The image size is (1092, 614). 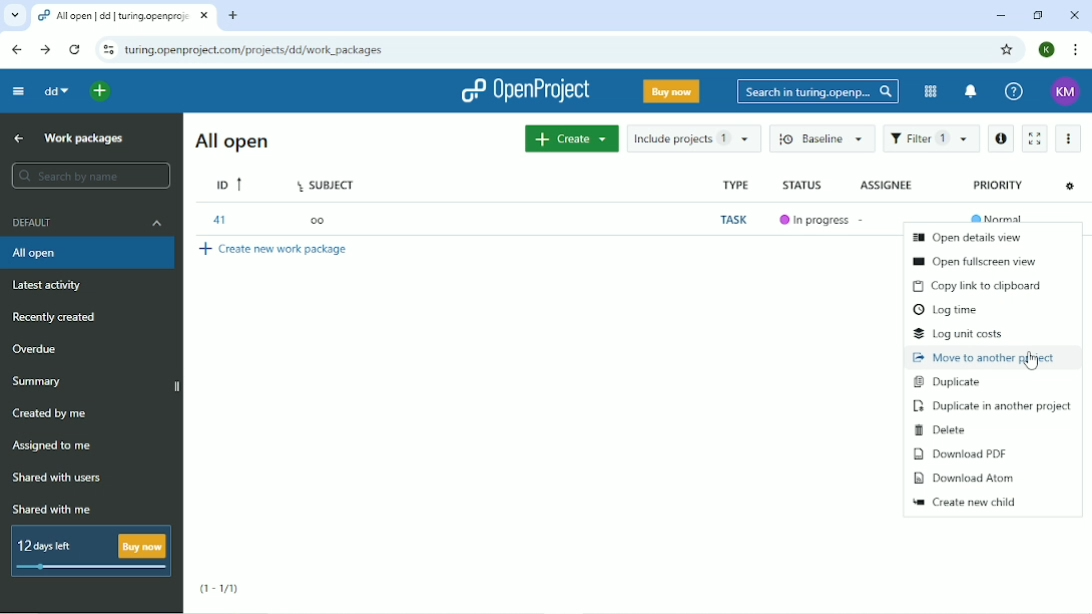 What do you see at coordinates (982, 261) in the screenshot?
I see `Open fullscreen view` at bounding box center [982, 261].